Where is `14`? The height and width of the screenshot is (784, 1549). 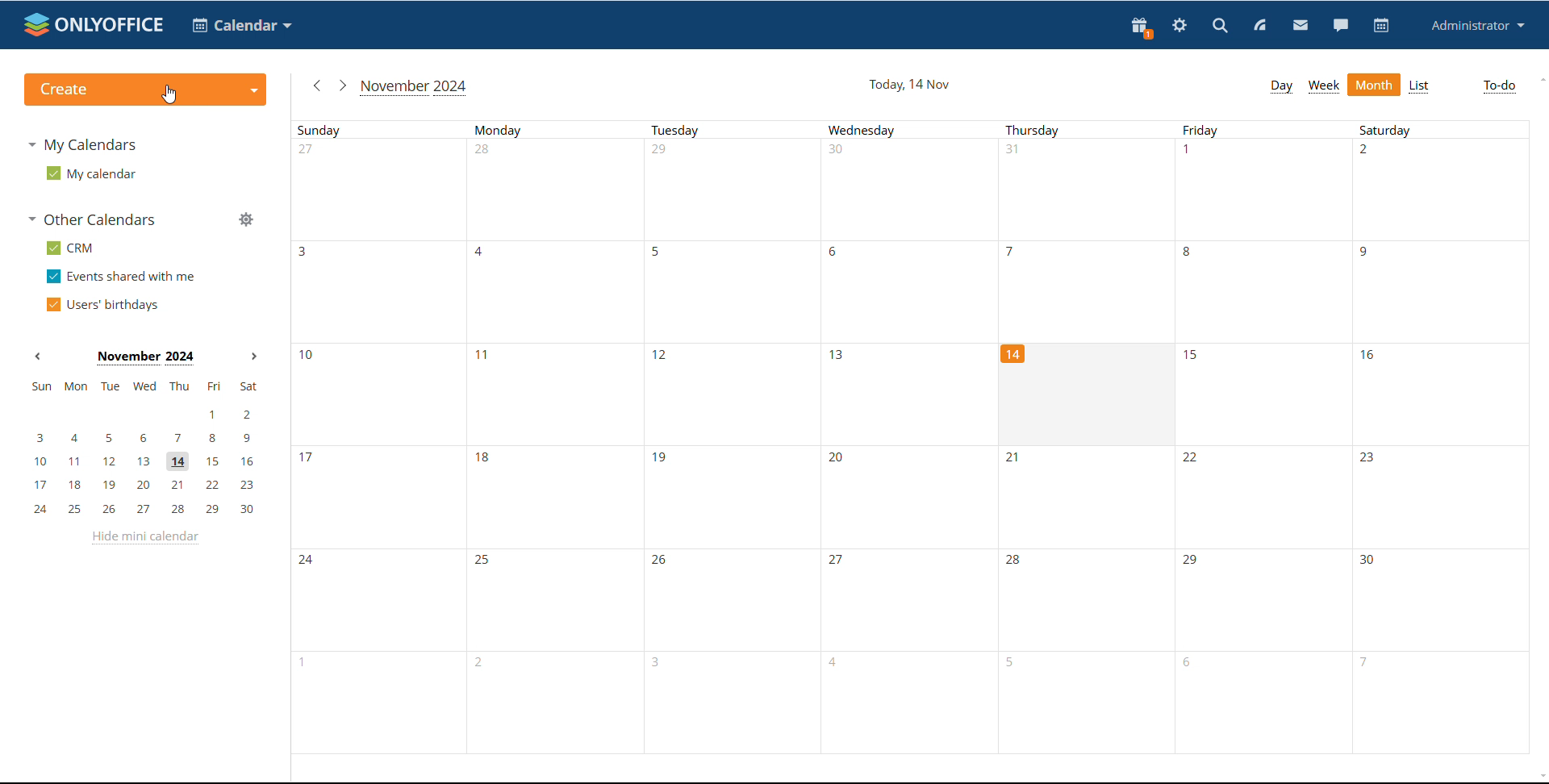
14 is located at coordinates (1015, 357).